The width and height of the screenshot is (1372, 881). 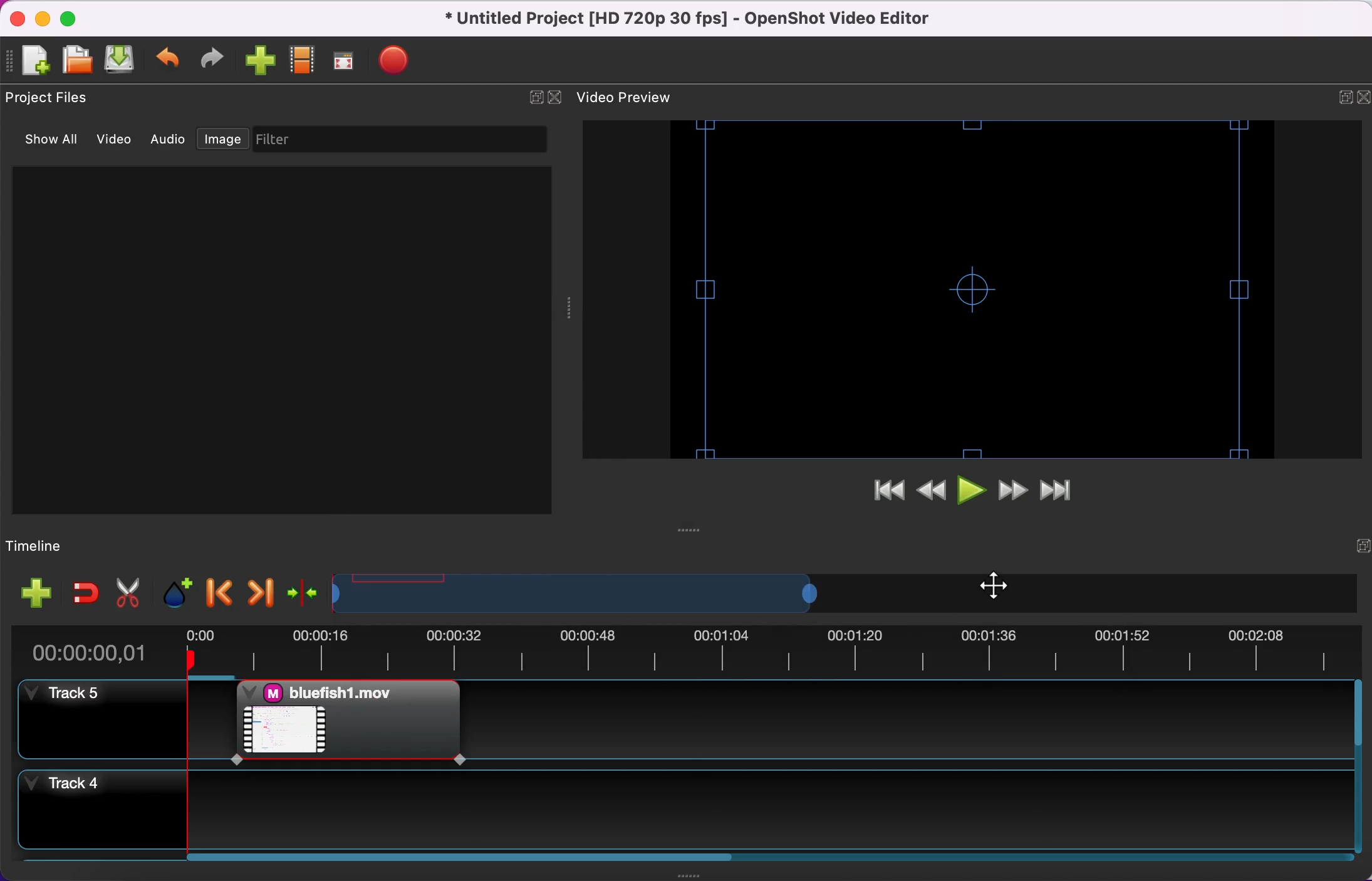 I want to click on timeline, so click(x=48, y=544).